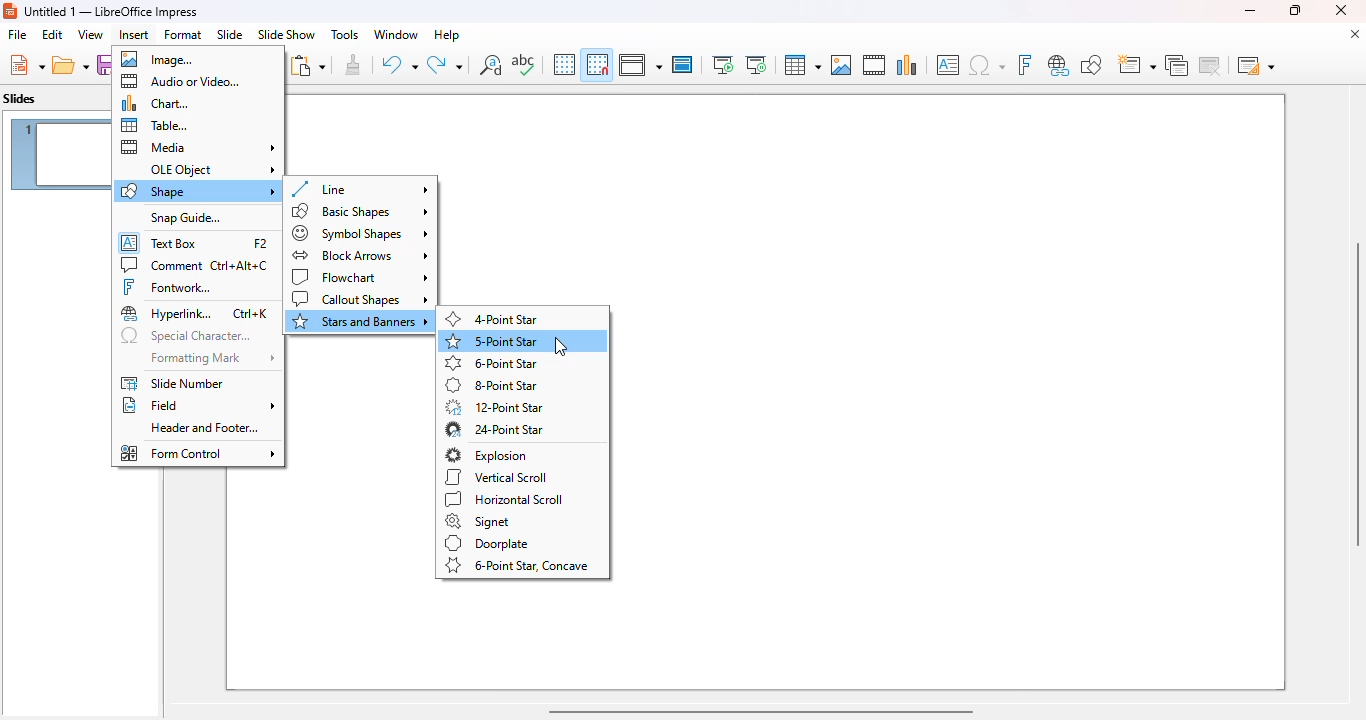  Describe the element at coordinates (841, 65) in the screenshot. I see `insert image` at that location.